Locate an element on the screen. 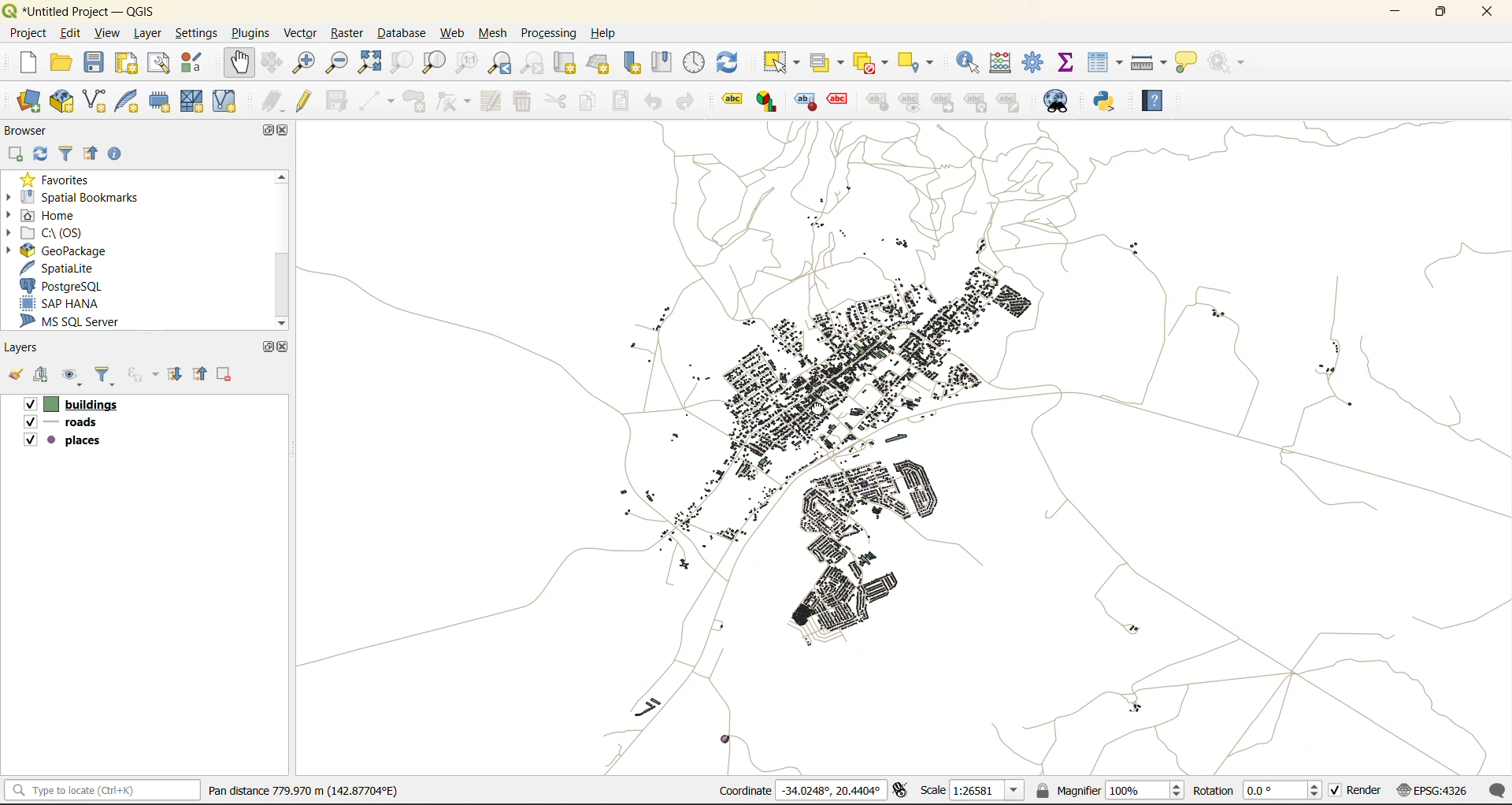 This screenshot has width=1512, height=805. pan map is located at coordinates (235, 61).